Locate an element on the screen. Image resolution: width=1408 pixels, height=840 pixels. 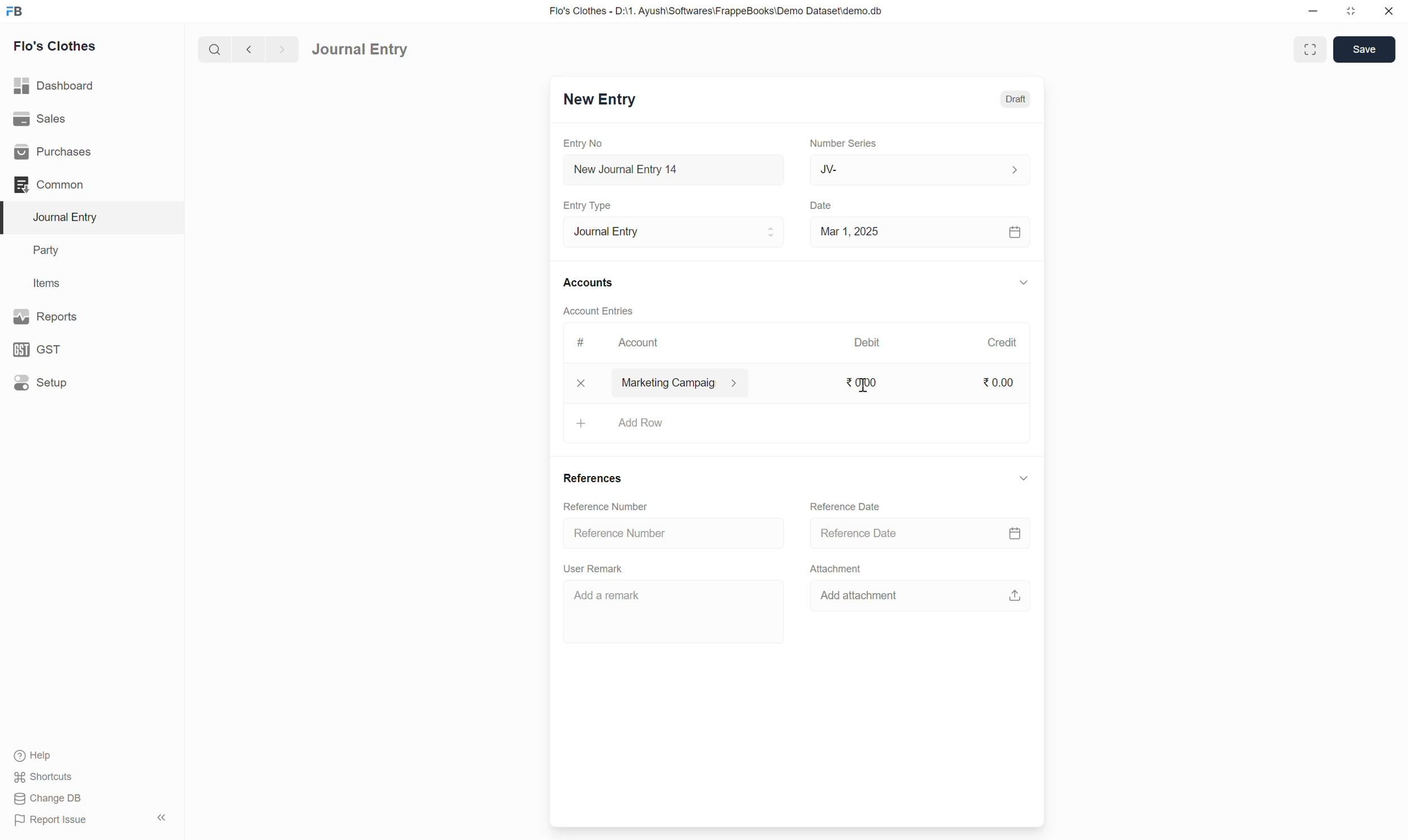
Party is located at coordinates (49, 251).